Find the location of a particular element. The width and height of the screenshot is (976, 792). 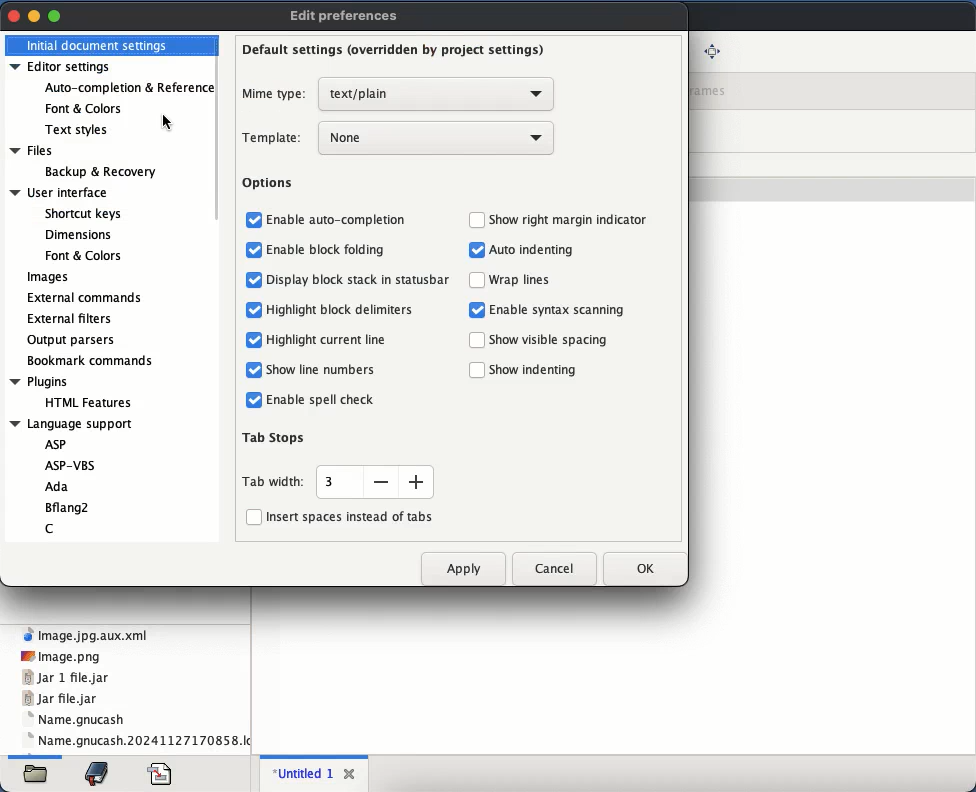

checkbox is located at coordinates (476, 219).